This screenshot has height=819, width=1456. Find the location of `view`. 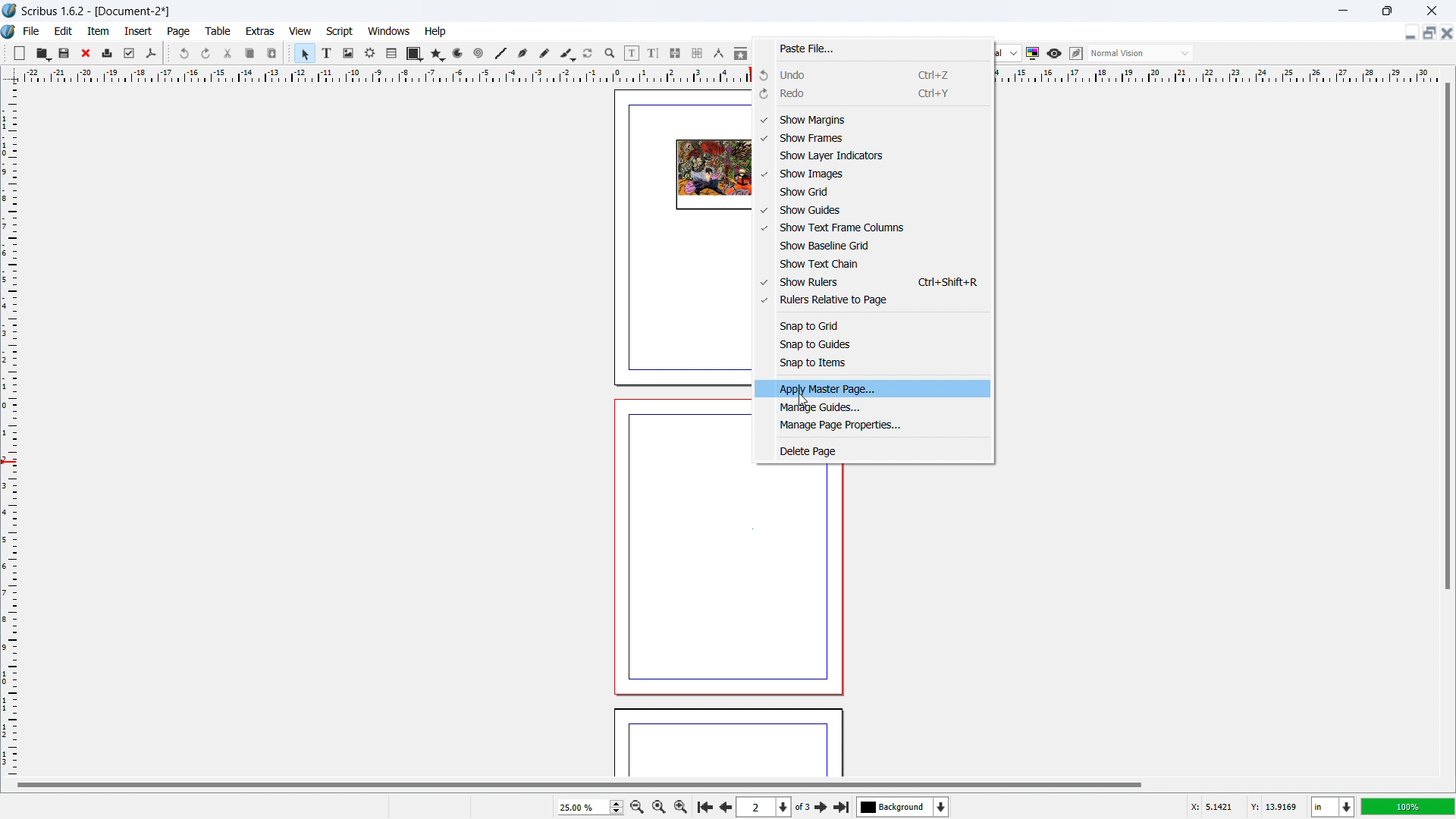

view is located at coordinates (300, 32).